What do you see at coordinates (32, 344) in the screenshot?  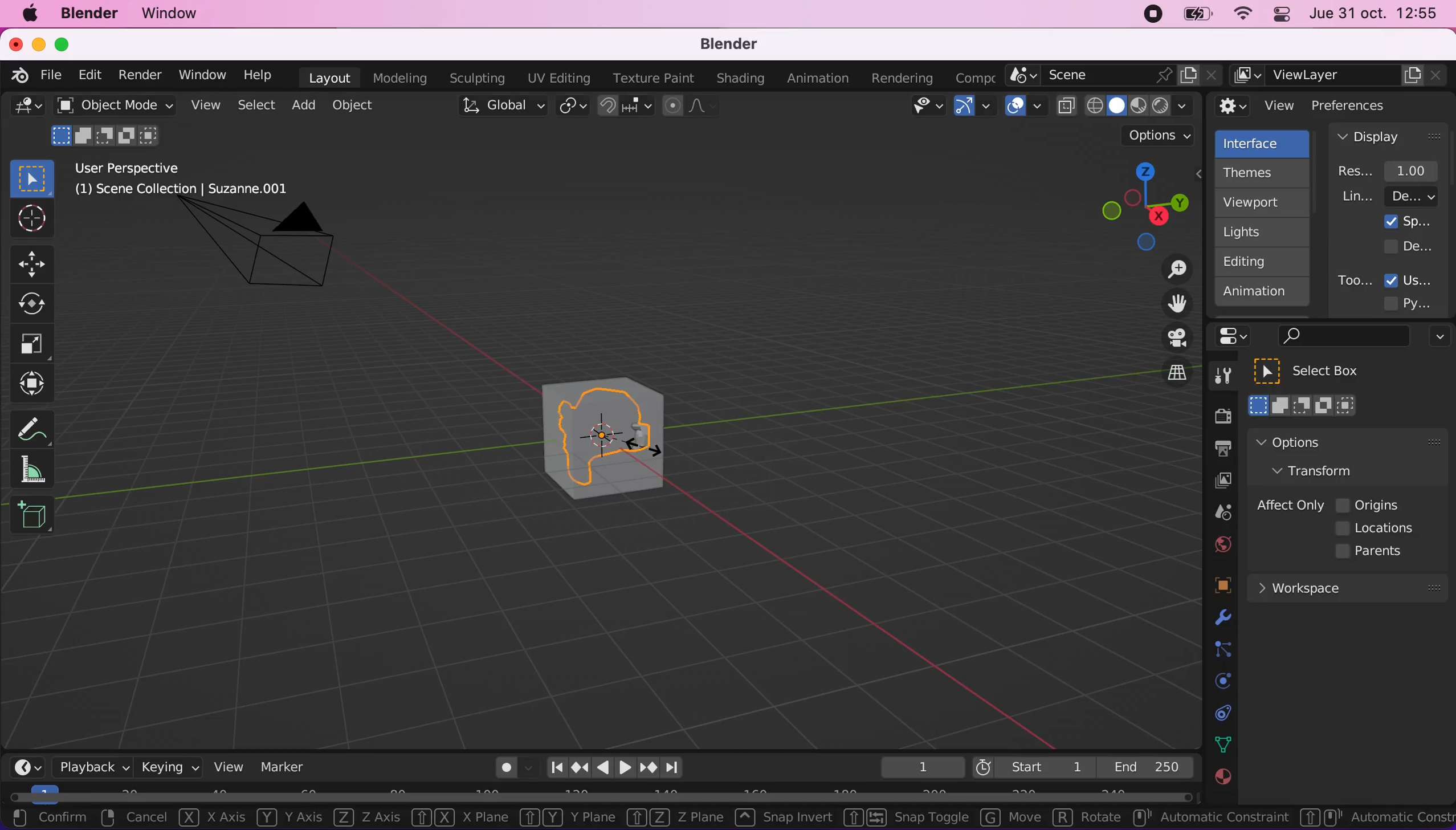 I see `` at bounding box center [32, 344].